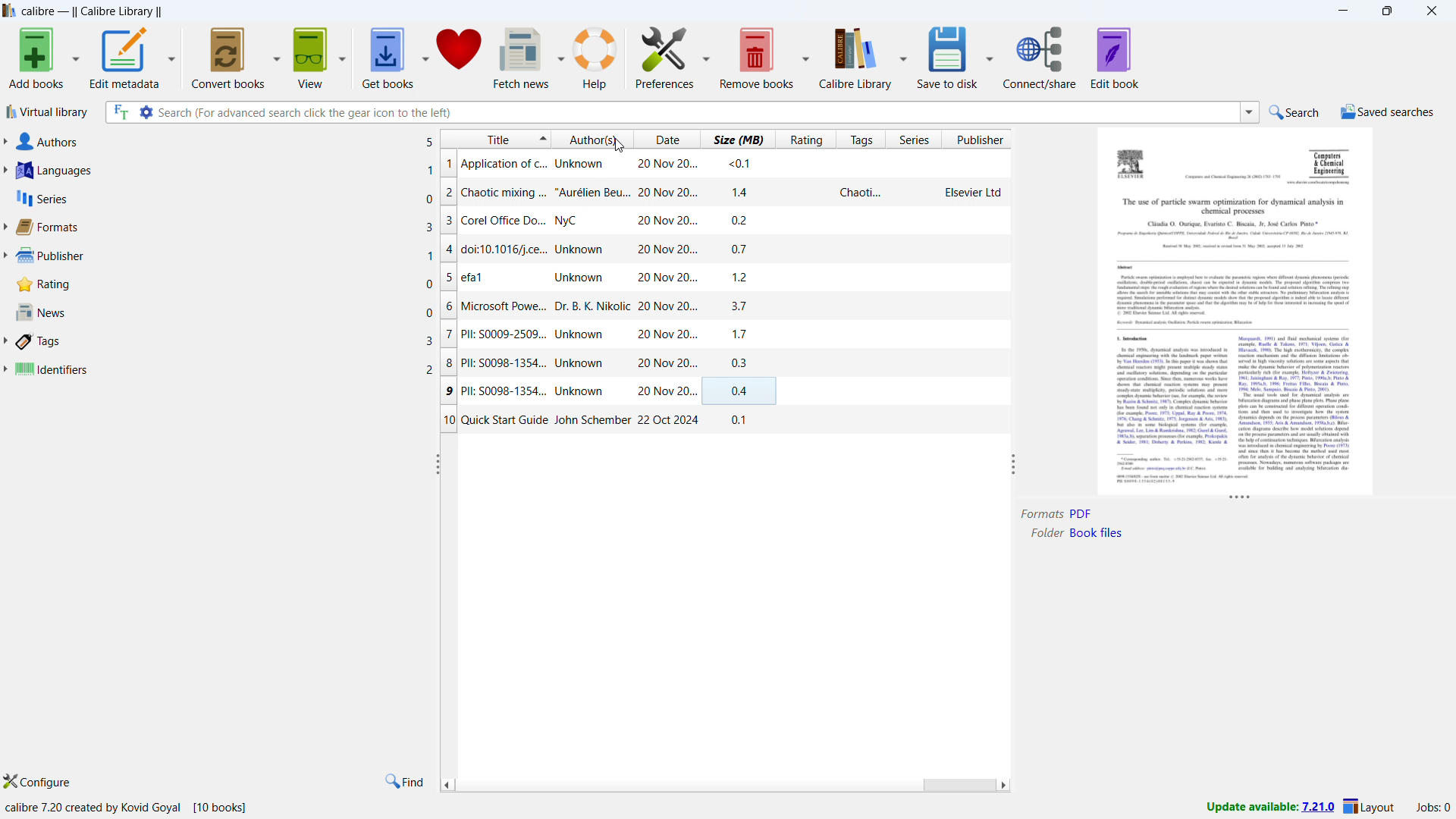 This screenshot has height=819, width=1456. I want to click on preferences, so click(665, 55).